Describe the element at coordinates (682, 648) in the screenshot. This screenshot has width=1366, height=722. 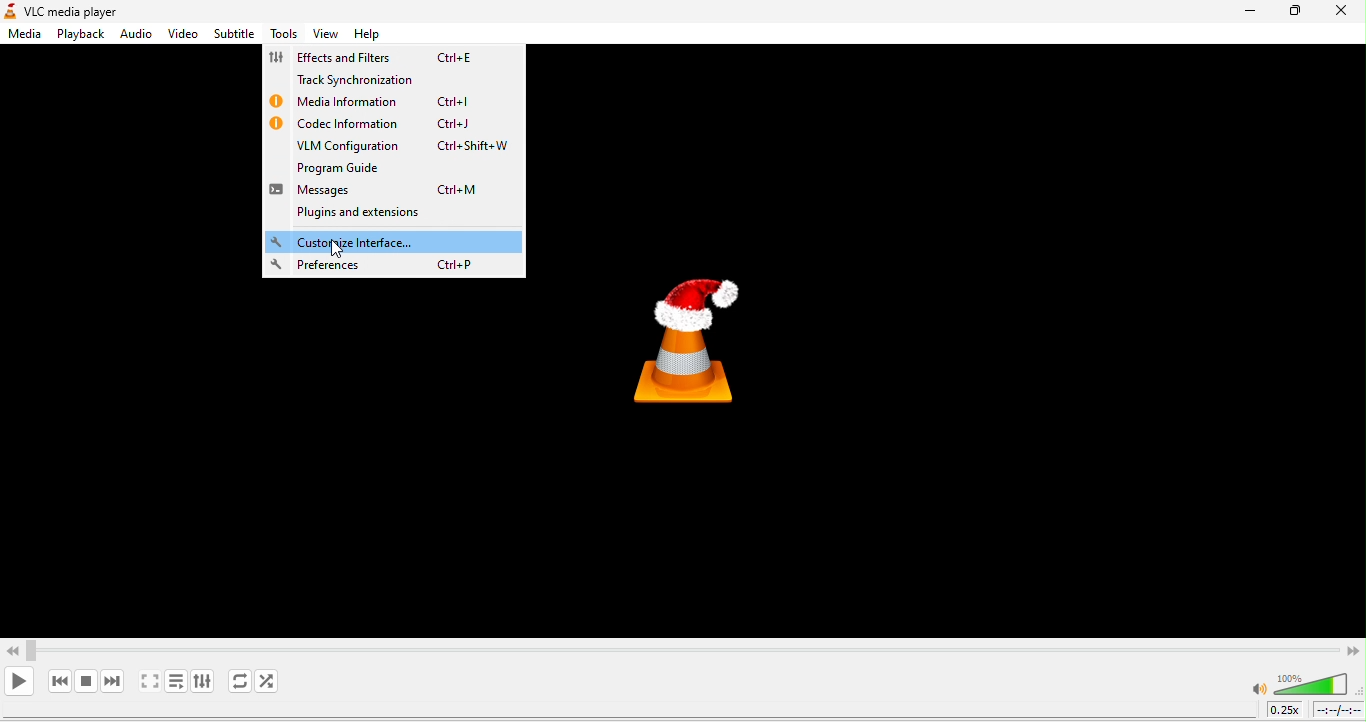
I see `Video Scroll bar` at that location.